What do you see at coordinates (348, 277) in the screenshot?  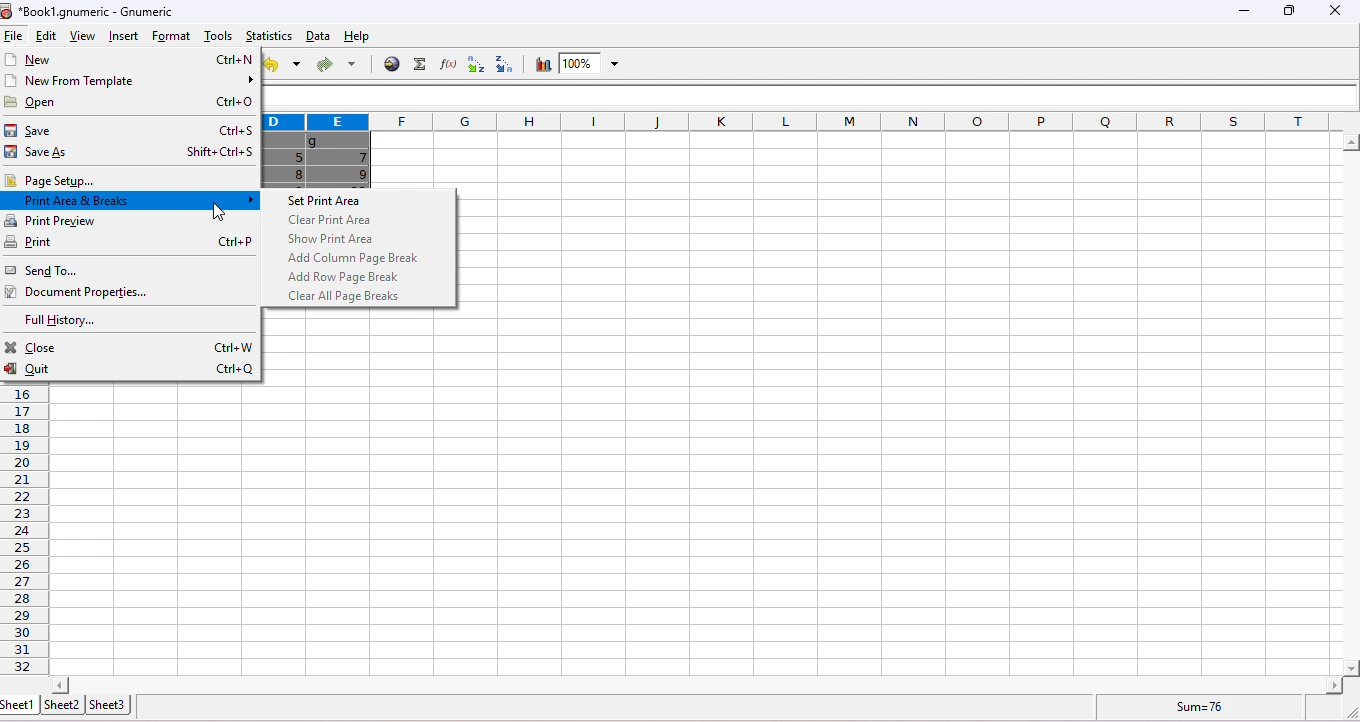 I see `add raw page break` at bounding box center [348, 277].